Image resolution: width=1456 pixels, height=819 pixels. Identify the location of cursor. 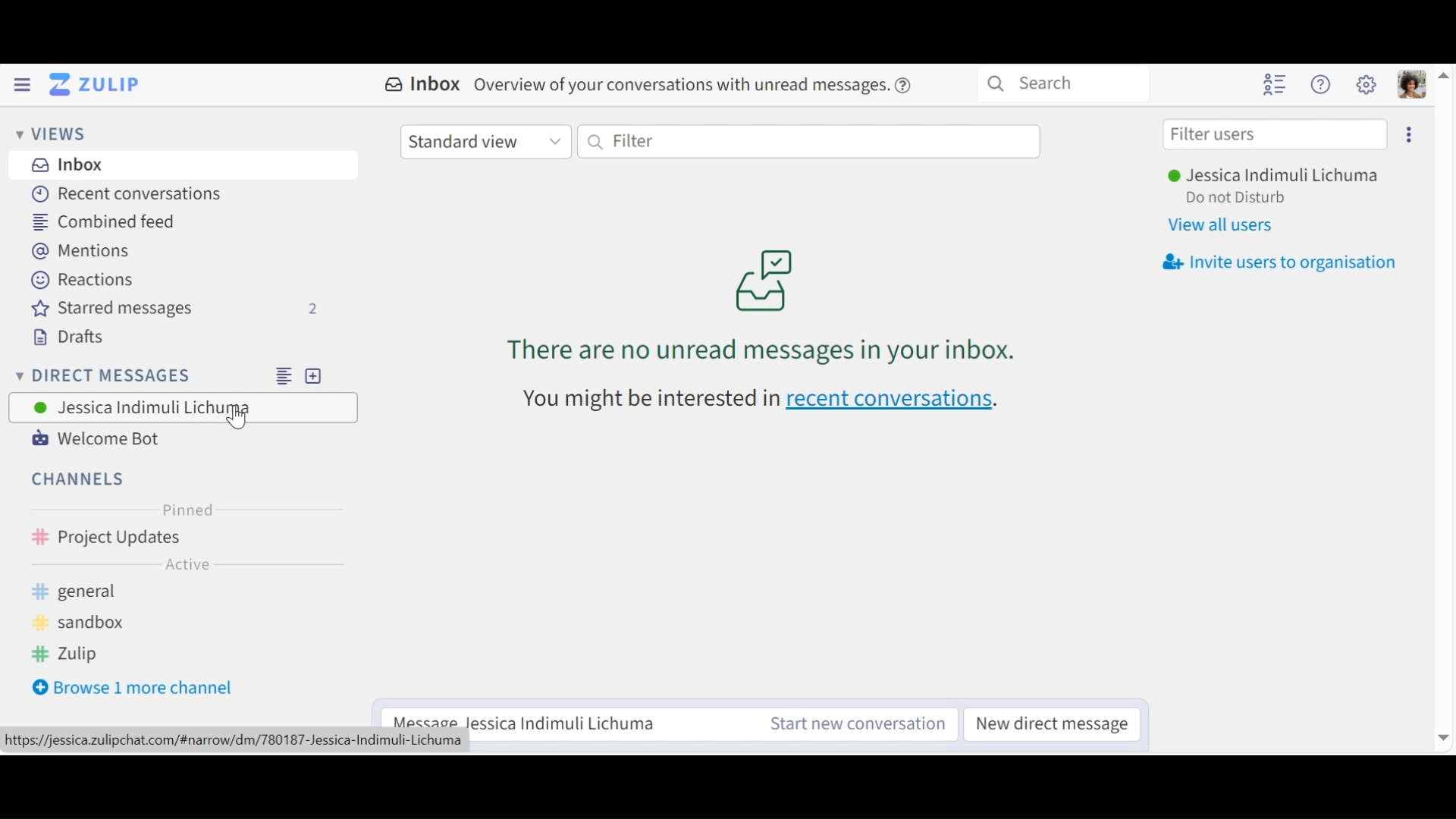
(242, 422).